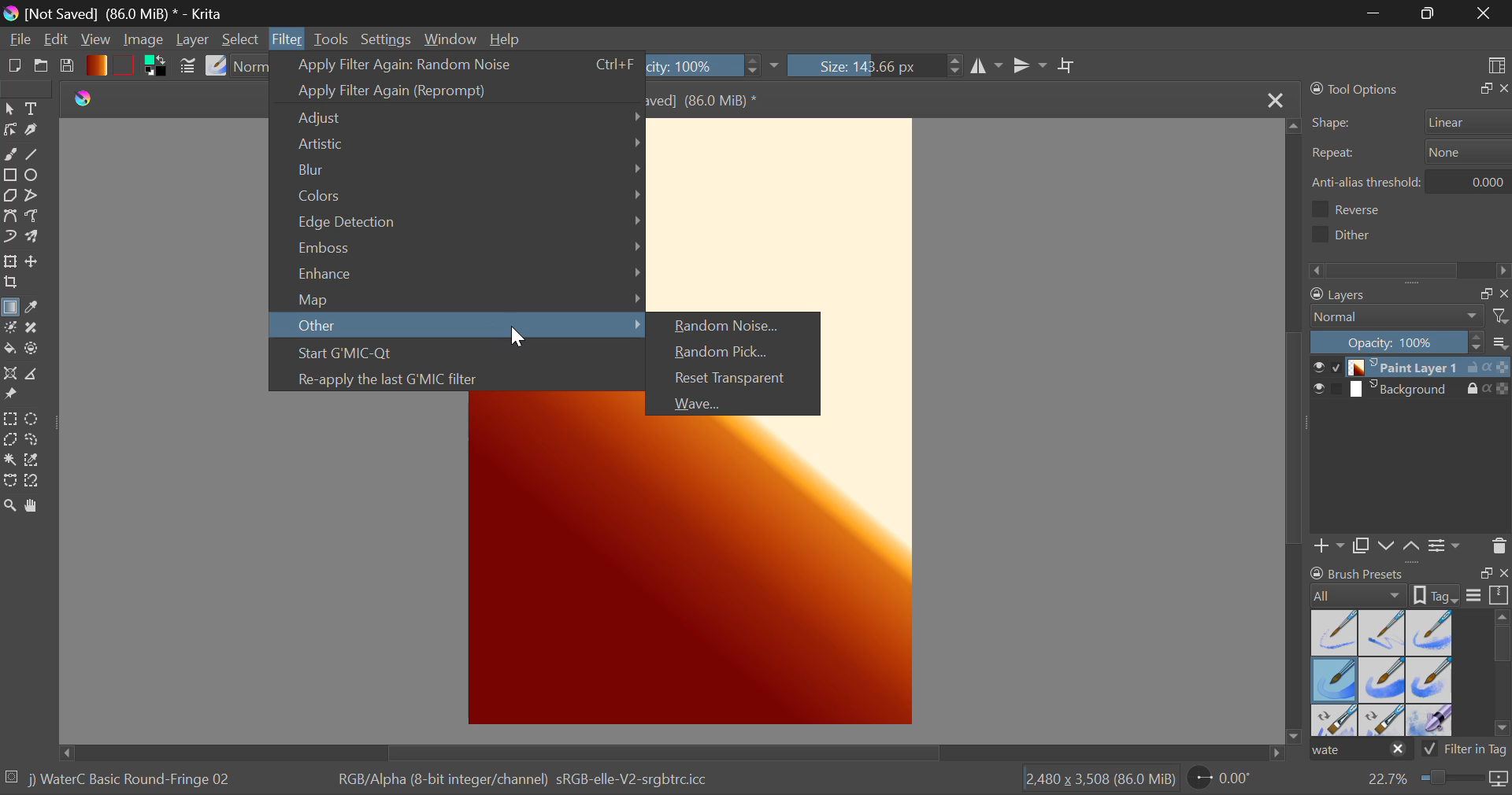 This screenshot has height=795, width=1512. Describe the element at coordinates (10, 482) in the screenshot. I see `Bezier Curve Selection` at that location.